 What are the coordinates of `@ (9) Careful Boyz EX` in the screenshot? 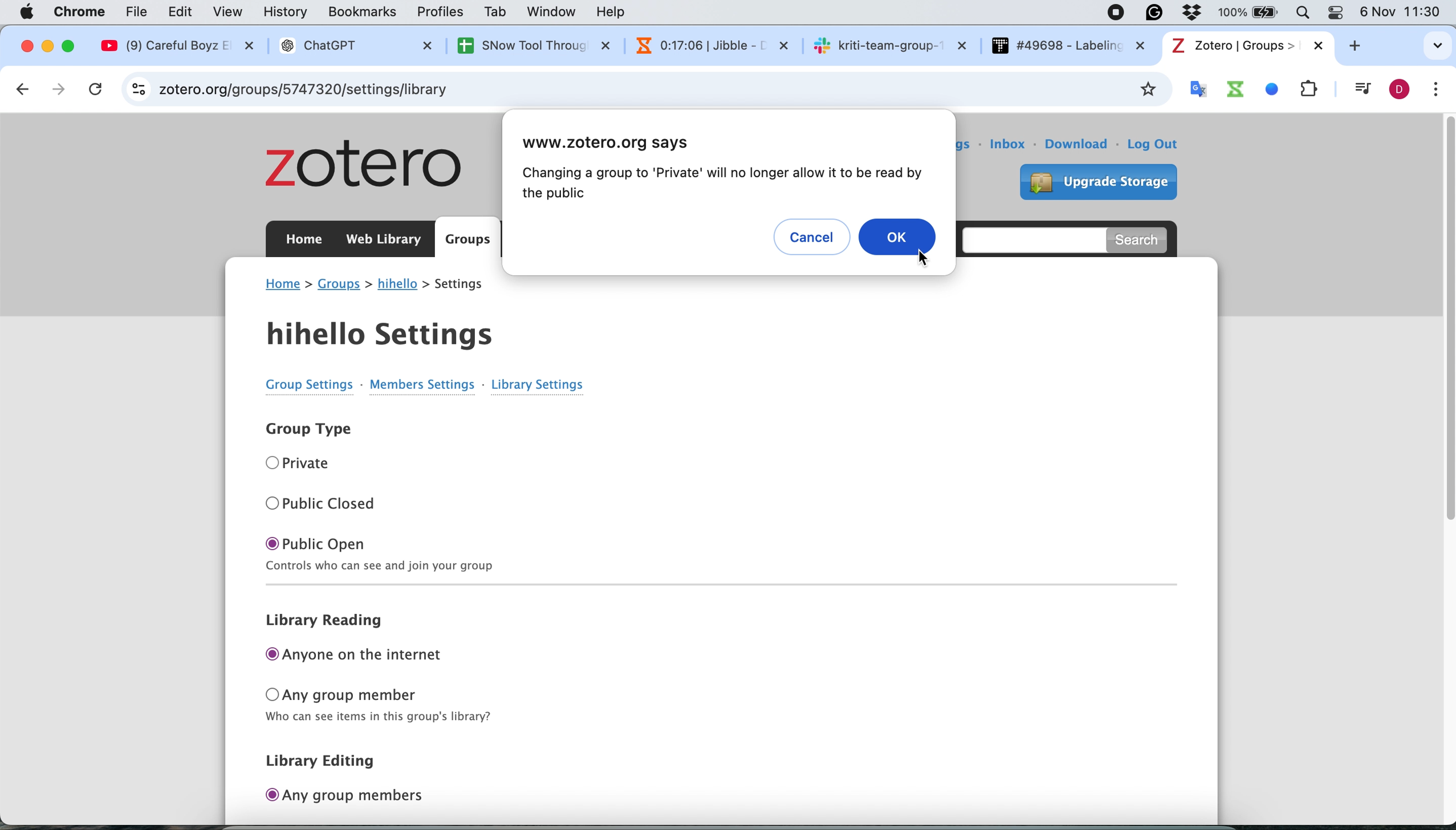 It's located at (184, 46).